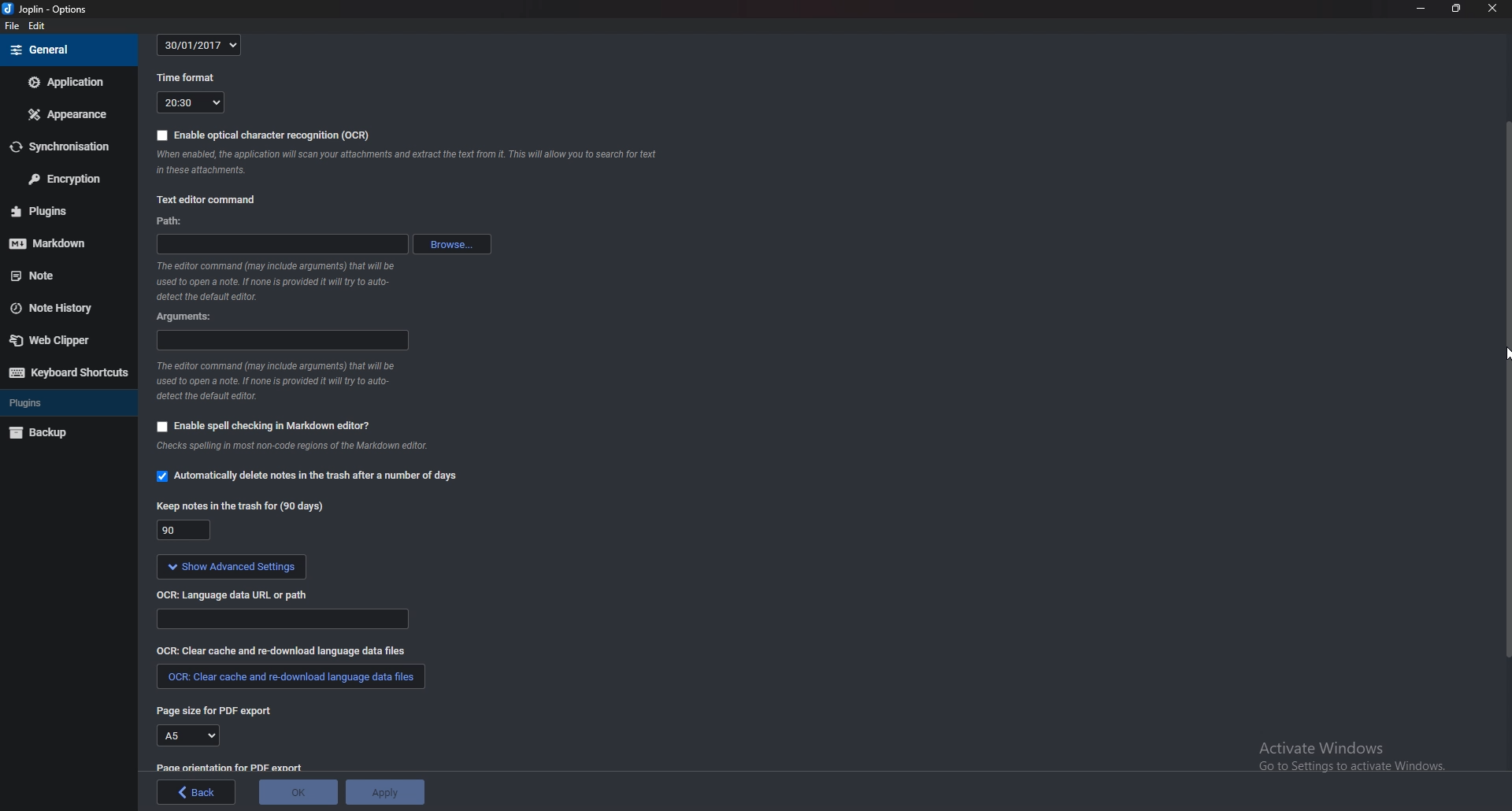  Describe the element at coordinates (236, 596) in the screenshot. I see `o C R language data url or path` at that location.